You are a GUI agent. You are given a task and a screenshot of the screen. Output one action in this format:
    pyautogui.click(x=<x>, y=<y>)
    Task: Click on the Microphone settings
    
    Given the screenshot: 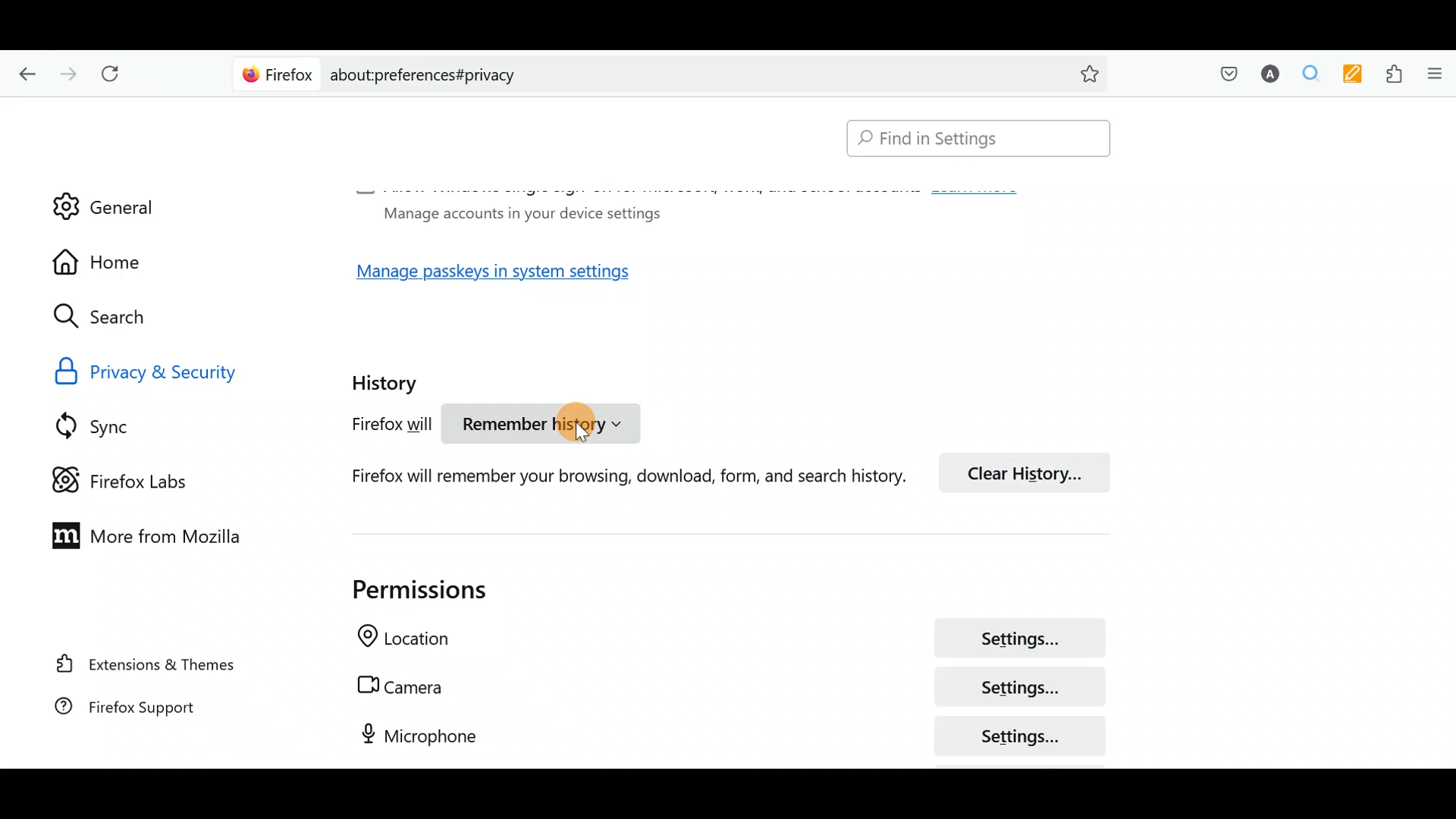 What is the action you would take?
    pyautogui.click(x=713, y=735)
    